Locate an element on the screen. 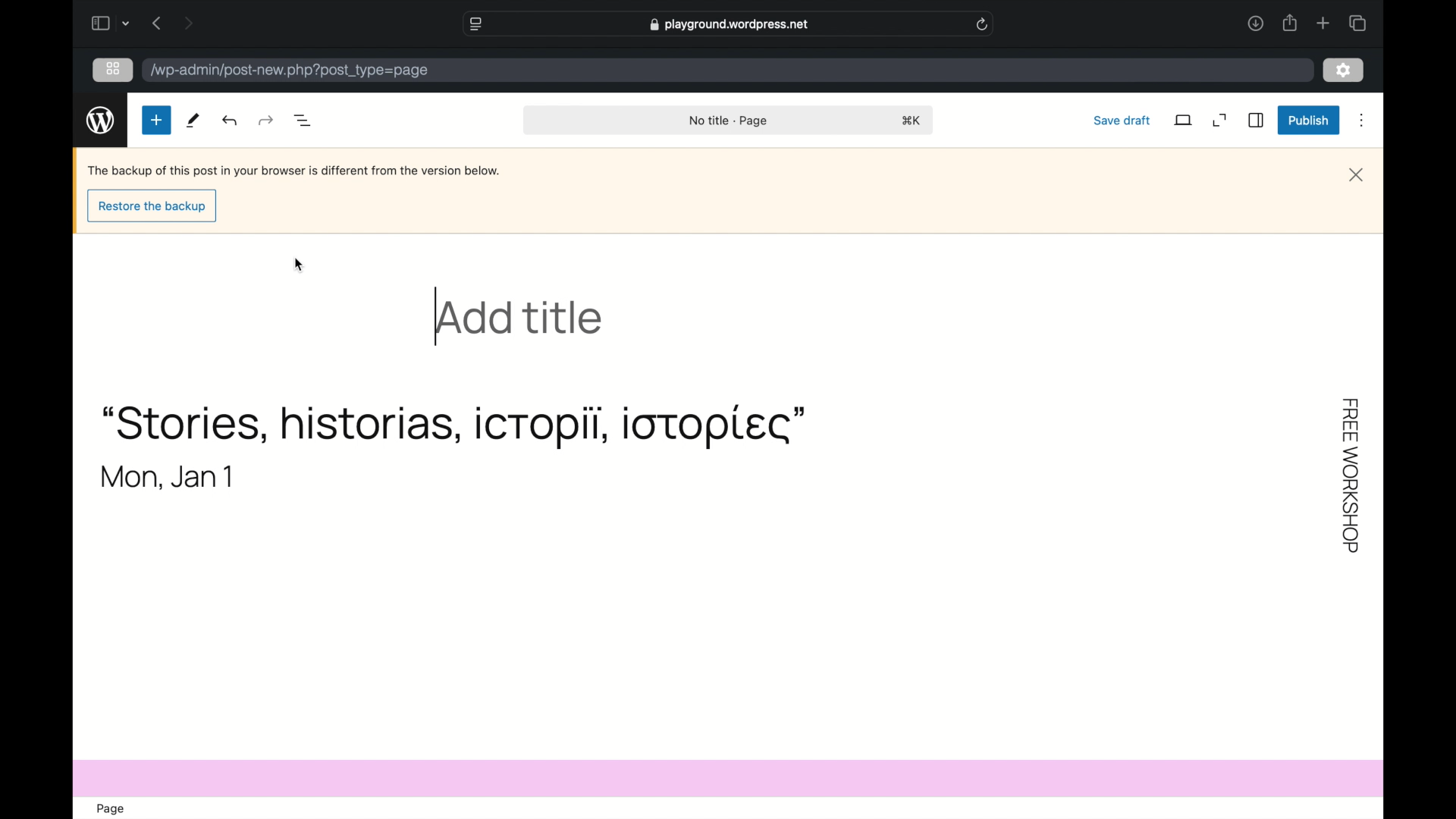 This screenshot has width=1456, height=819. web address is located at coordinates (729, 25).